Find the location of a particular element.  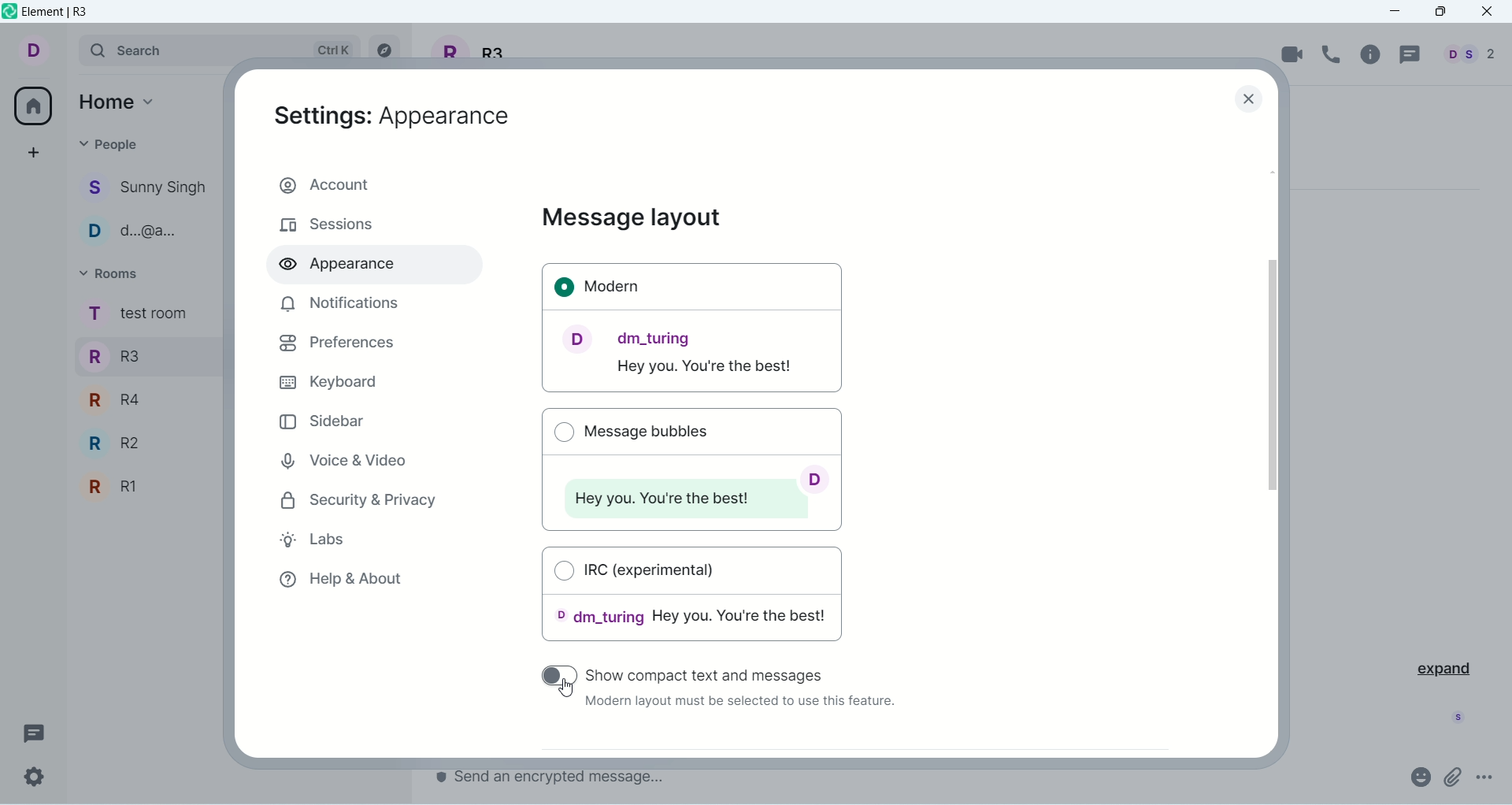

attachment is located at coordinates (1454, 777).